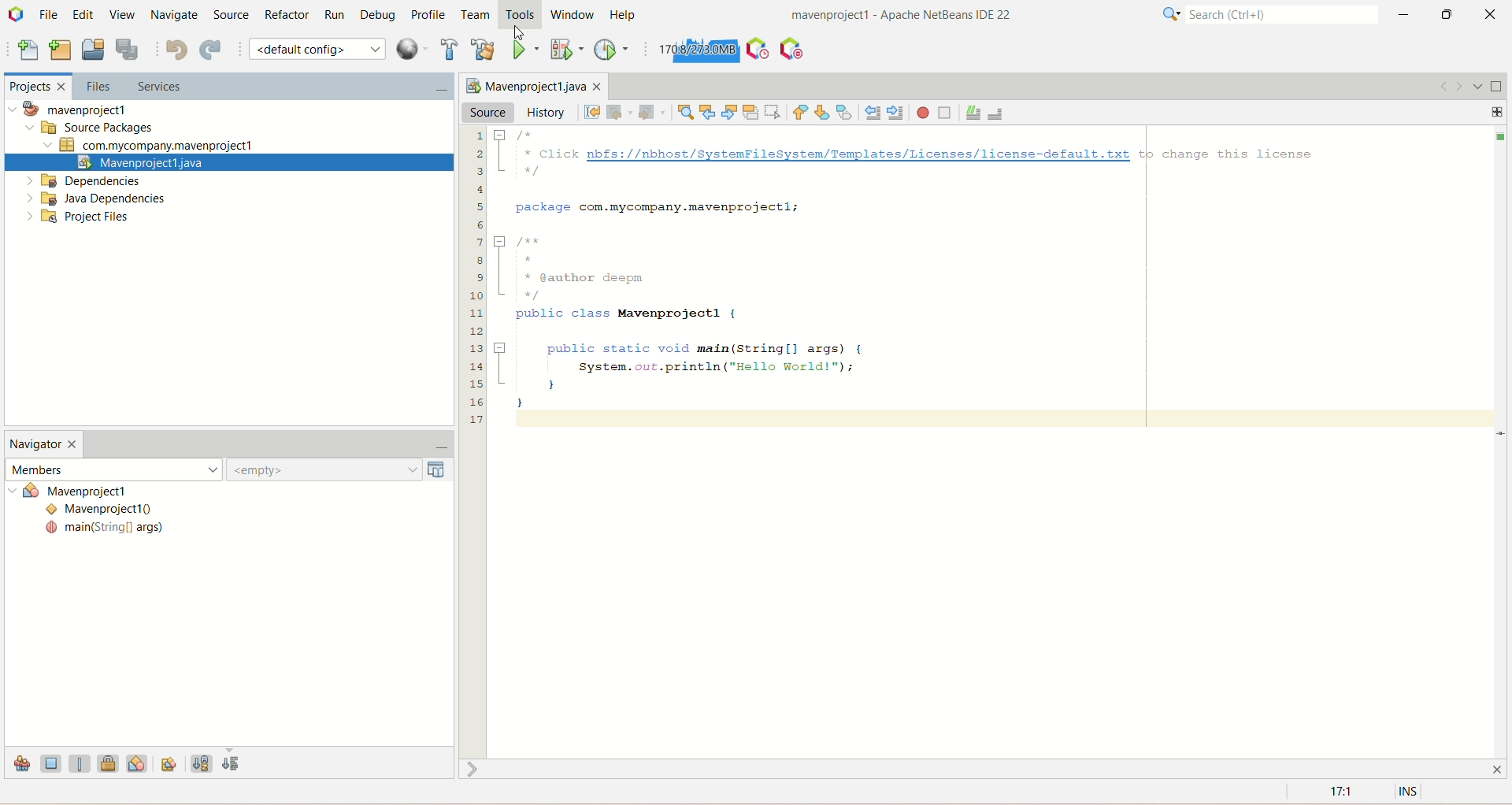 The width and height of the screenshot is (1512, 805). What do you see at coordinates (447, 49) in the screenshot?
I see `build project` at bounding box center [447, 49].